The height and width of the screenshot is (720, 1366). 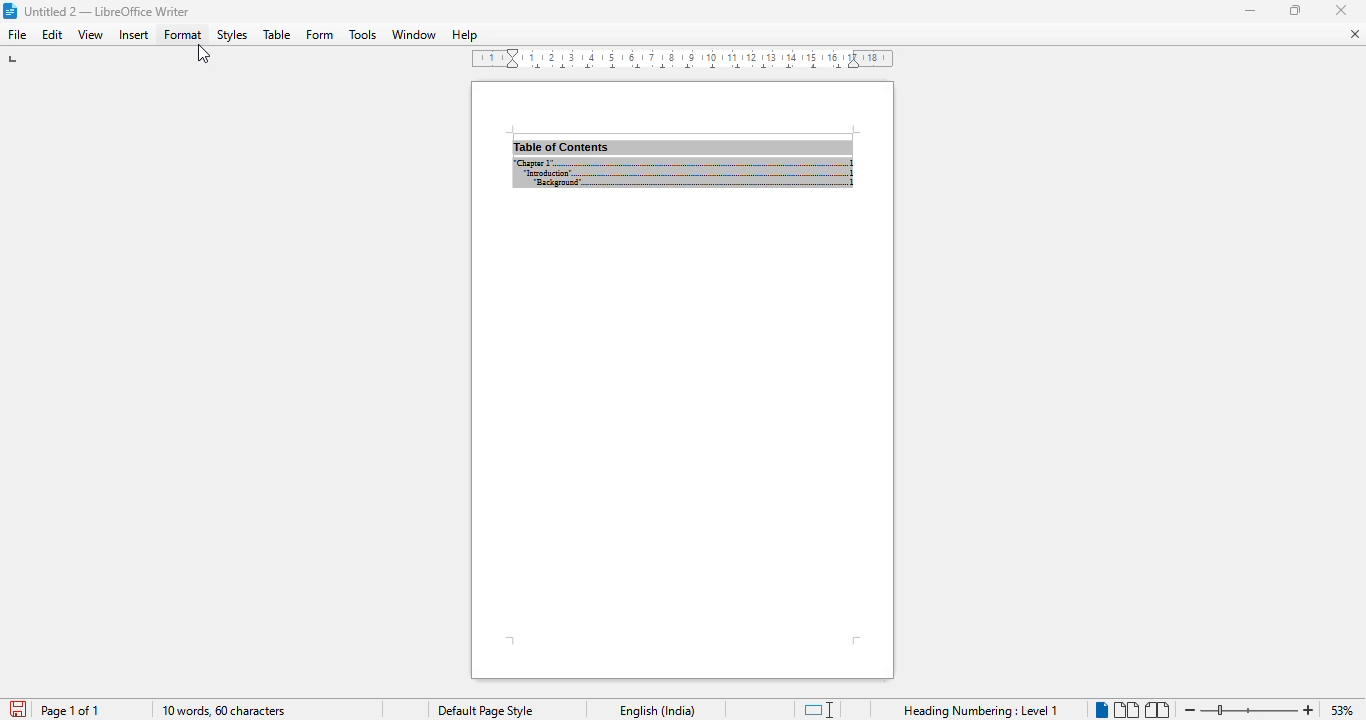 What do you see at coordinates (91, 35) in the screenshot?
I see `view` at bounding box center [91, 35].